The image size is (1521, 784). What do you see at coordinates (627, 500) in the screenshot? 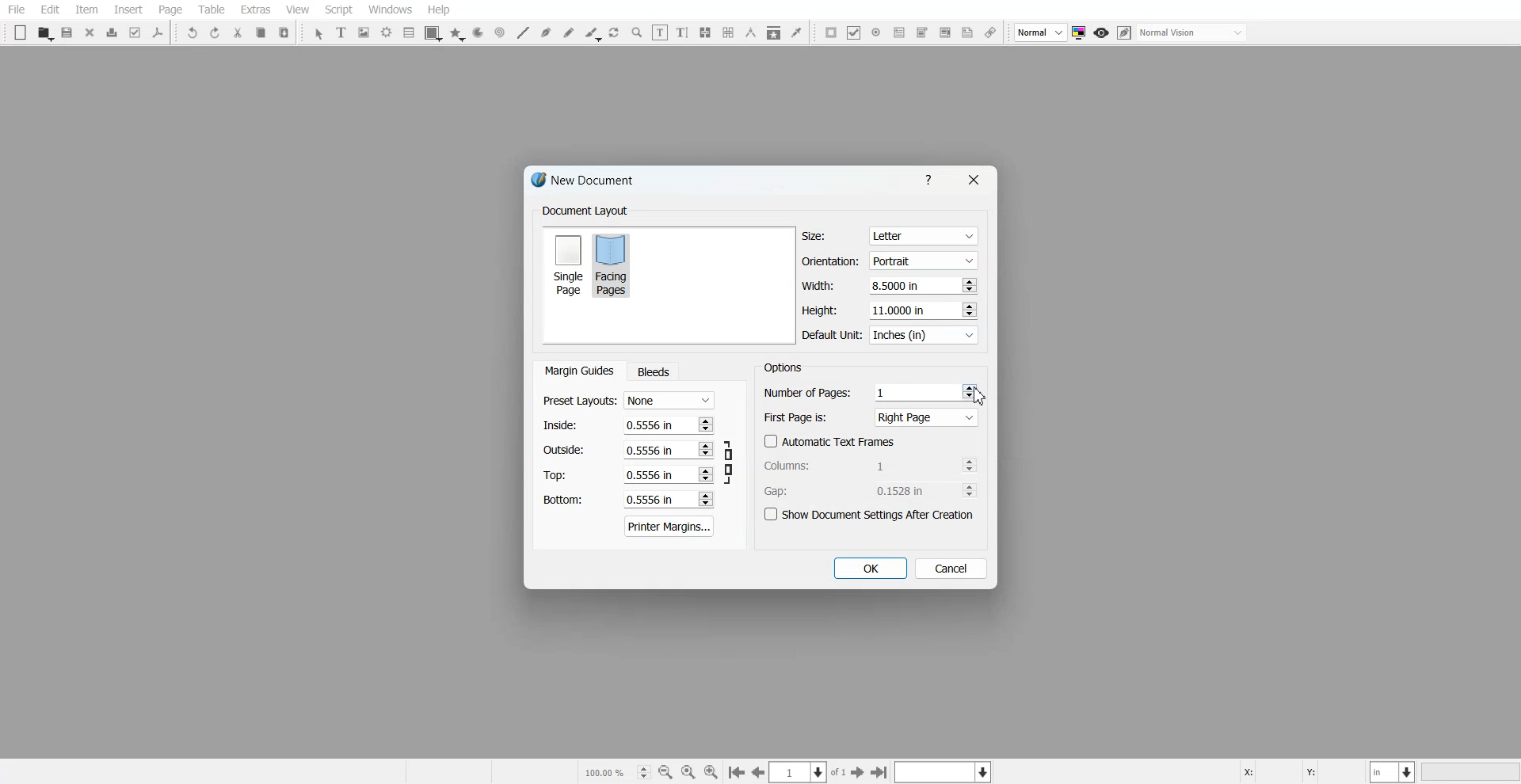
I see `Bottom margin adjuster` at bounding box center [627, 500].